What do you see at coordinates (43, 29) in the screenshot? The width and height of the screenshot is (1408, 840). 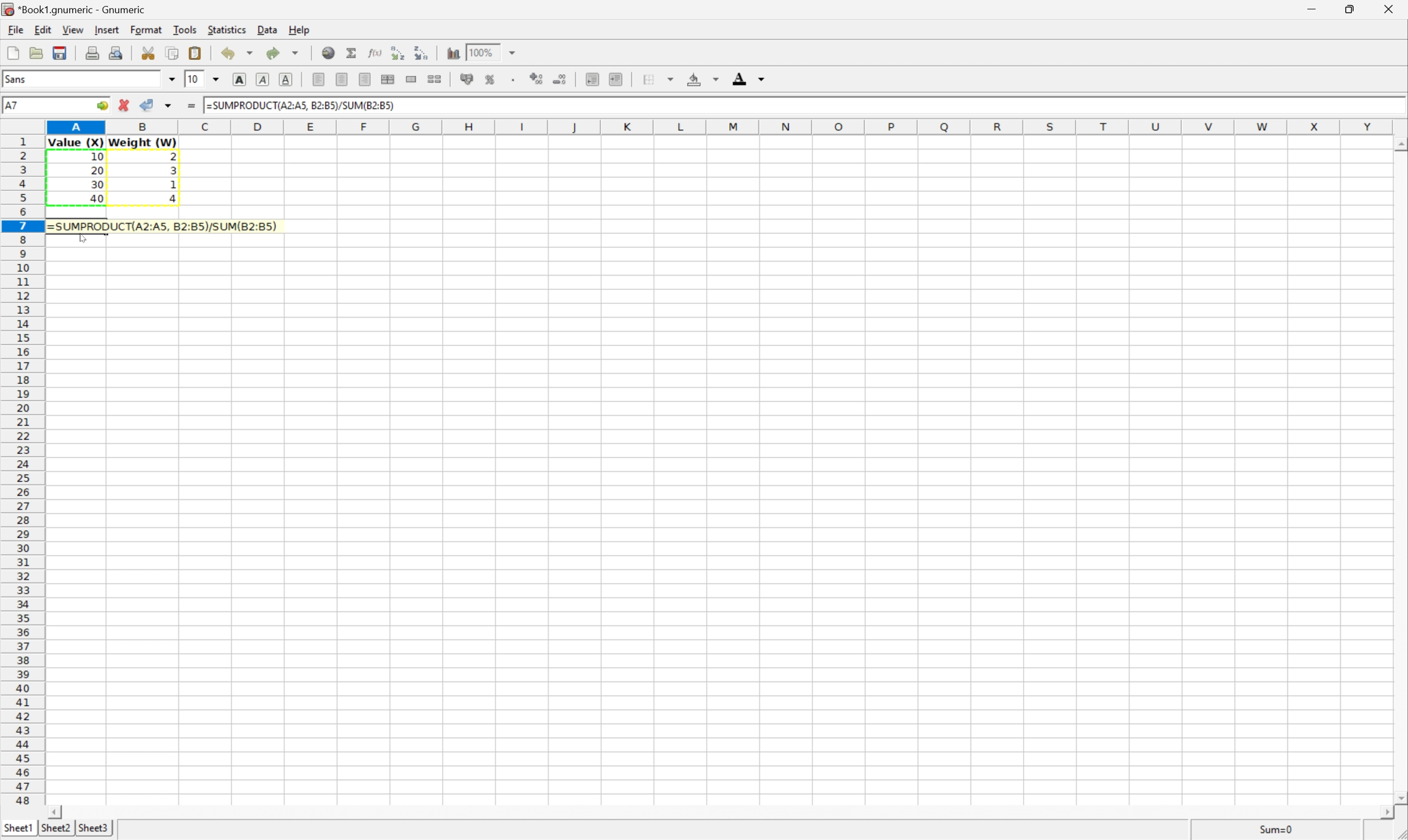 I see `Edit` at bounding box center [43, 29].